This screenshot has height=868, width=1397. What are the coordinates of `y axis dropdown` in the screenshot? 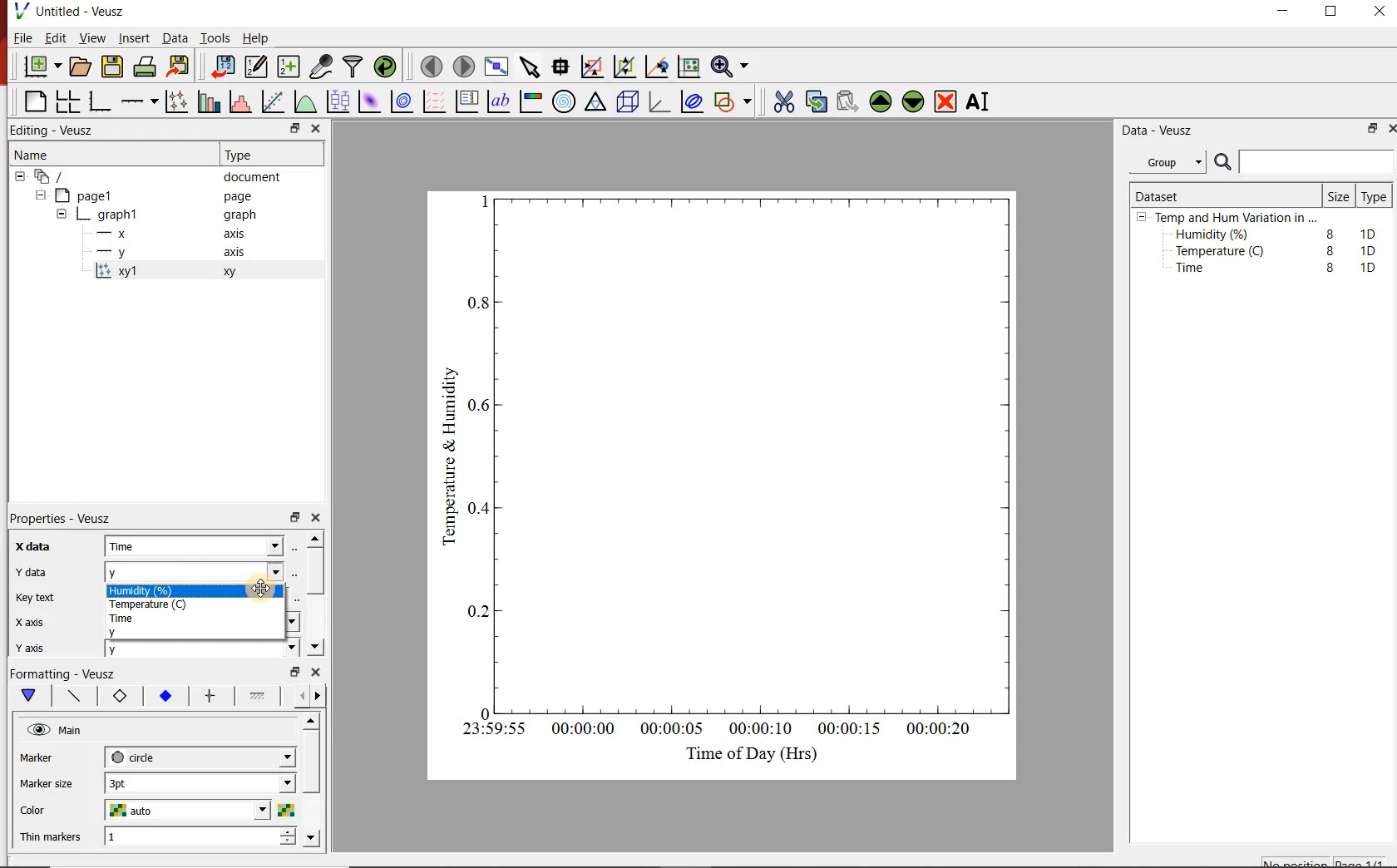 It's located at (269, 652).